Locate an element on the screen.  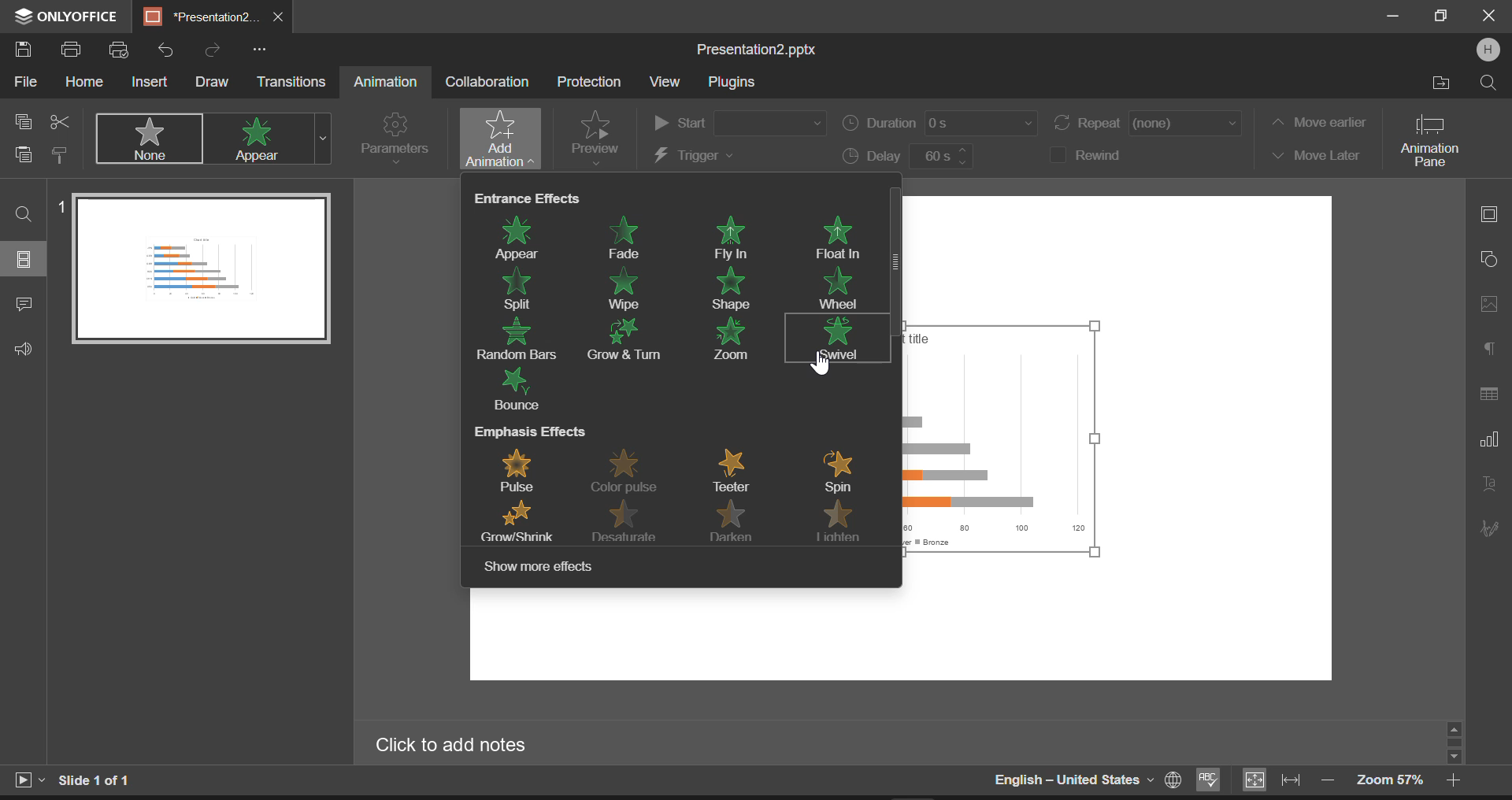
Close Tab is located at coordinates (280, 17).